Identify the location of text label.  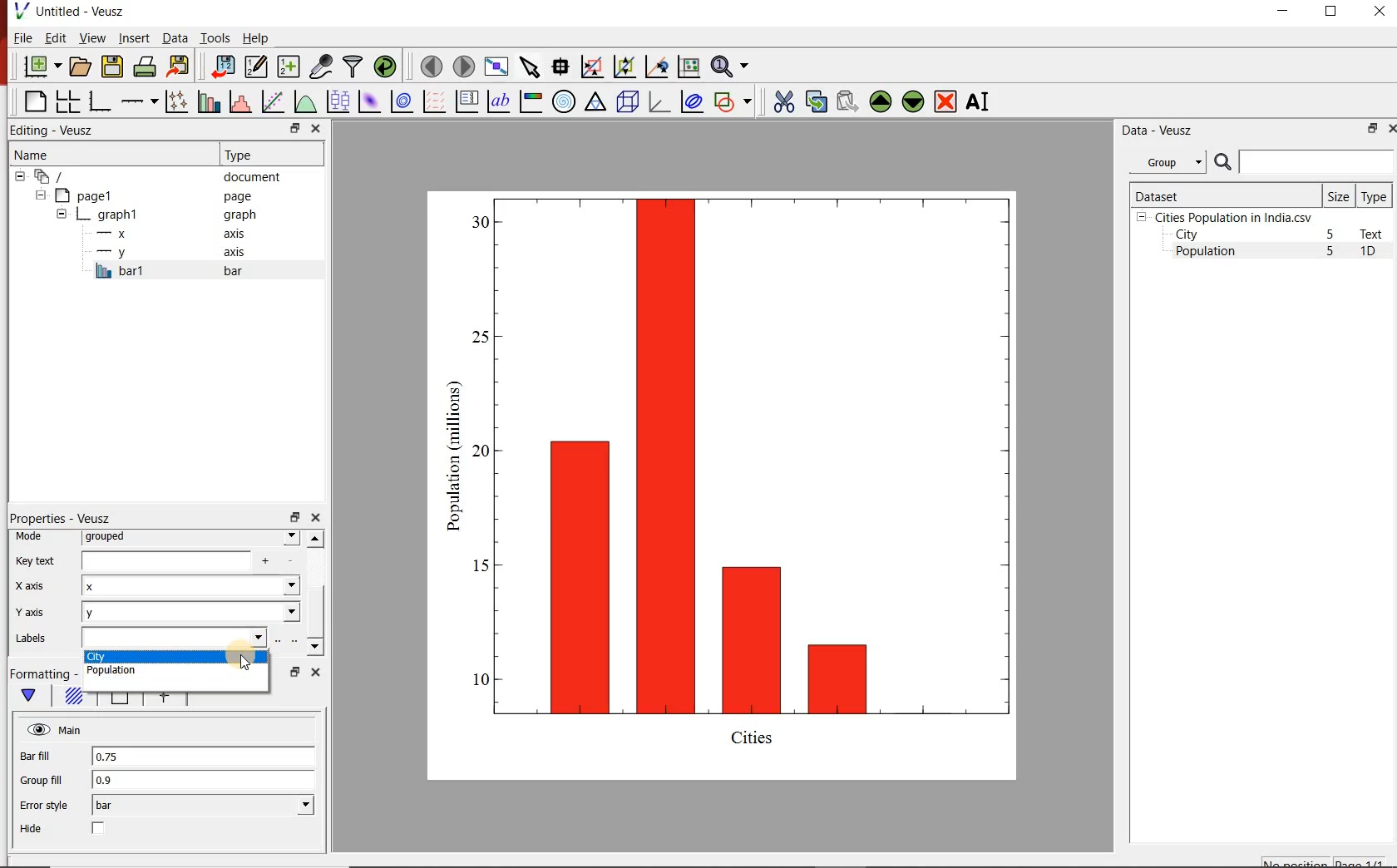
(498, 101).